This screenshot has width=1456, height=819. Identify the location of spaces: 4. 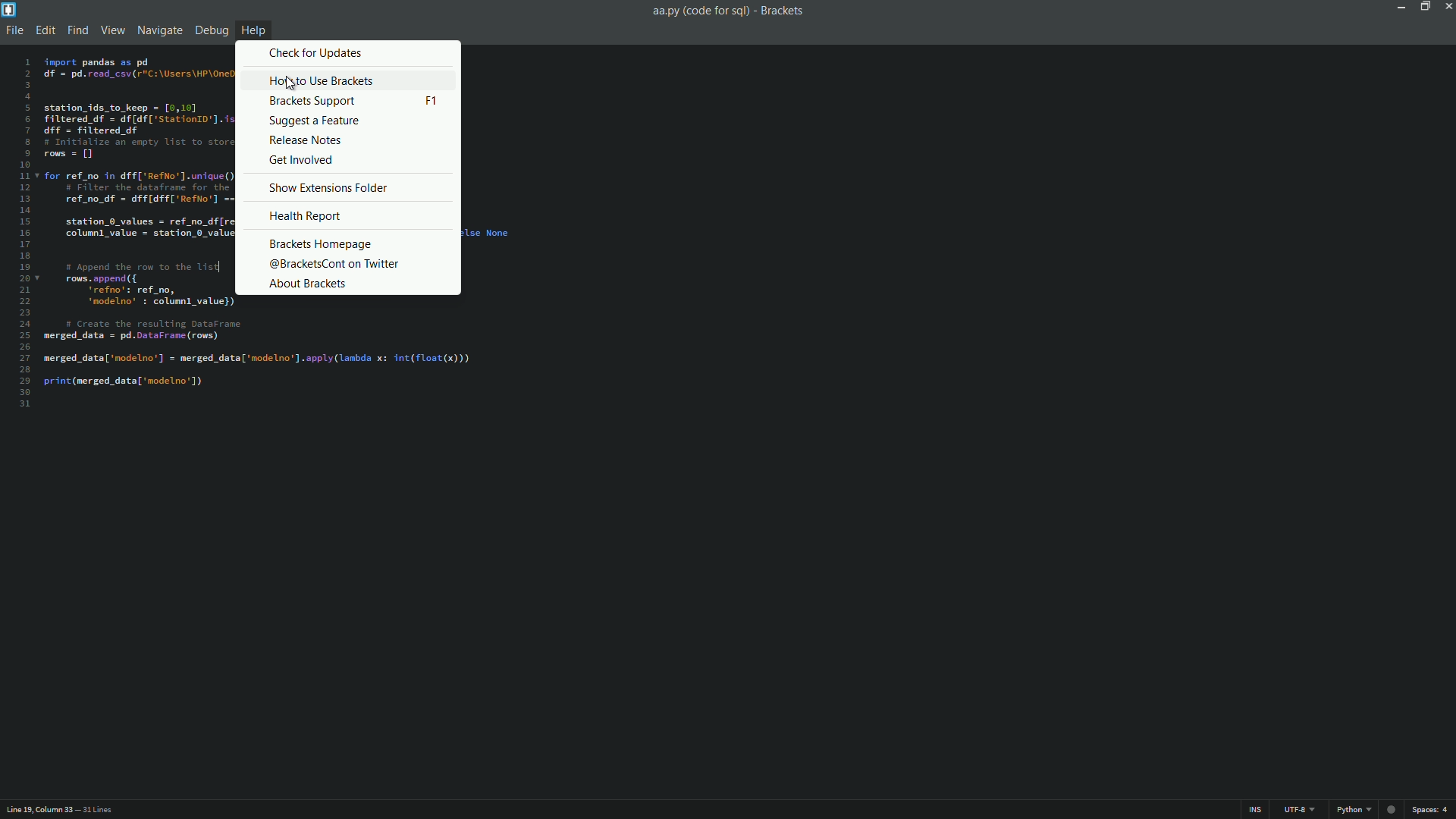
(1429, 808).